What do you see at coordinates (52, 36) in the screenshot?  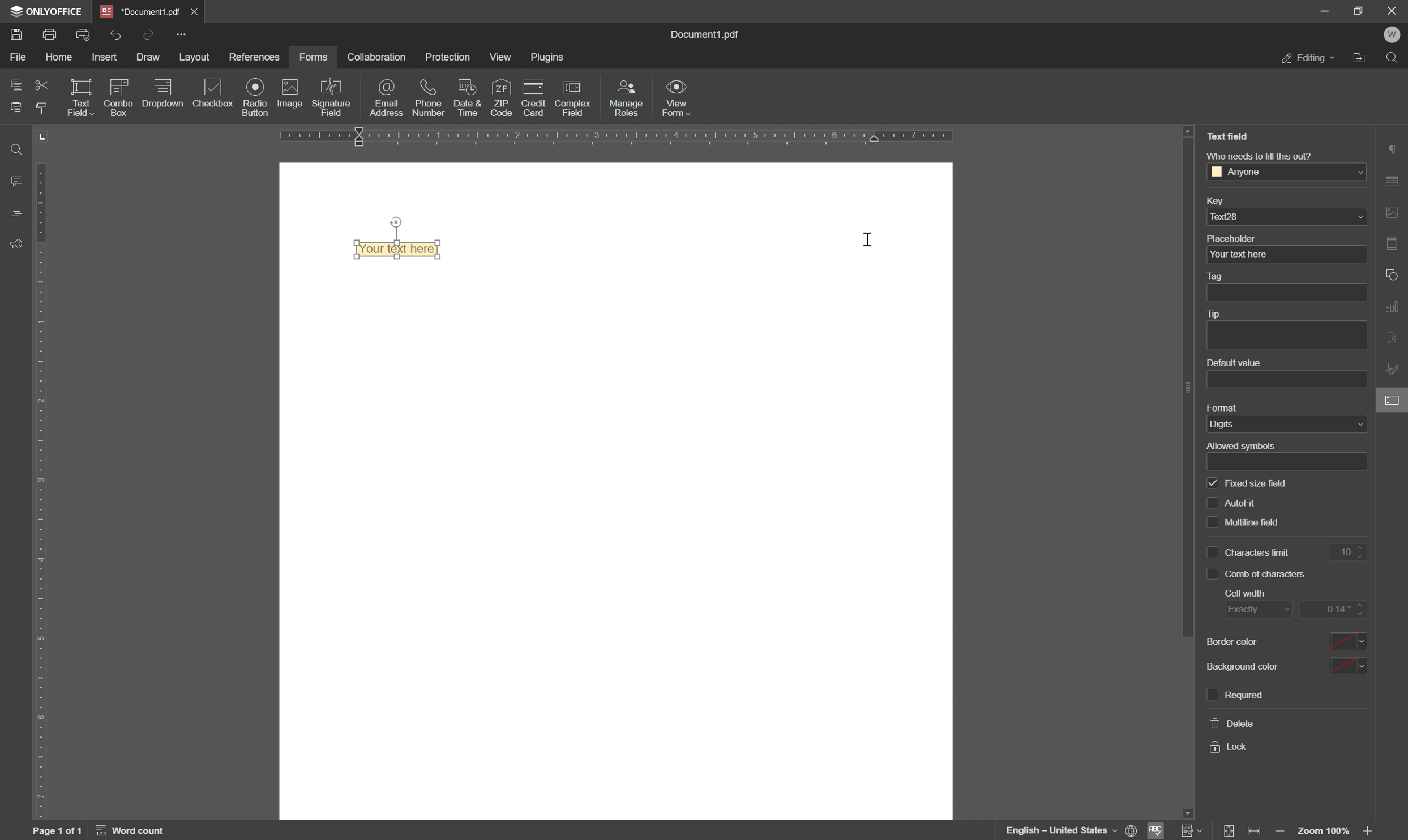 I see `print` at bounding box center [52, 36].